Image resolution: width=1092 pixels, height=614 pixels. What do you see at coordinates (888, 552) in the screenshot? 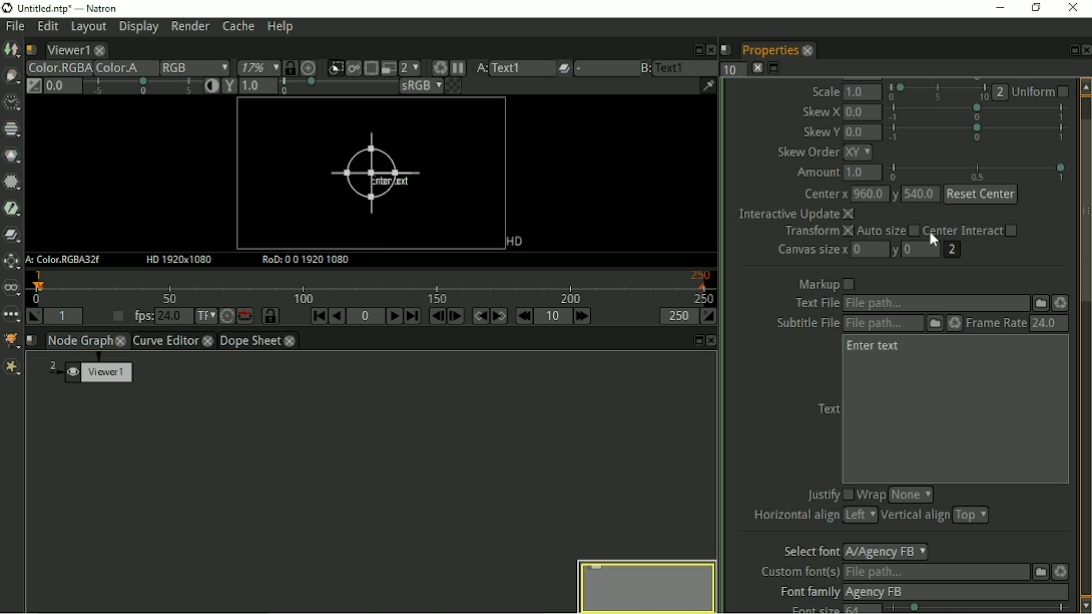
I see `agency fb` at bounding box center [888, 552].